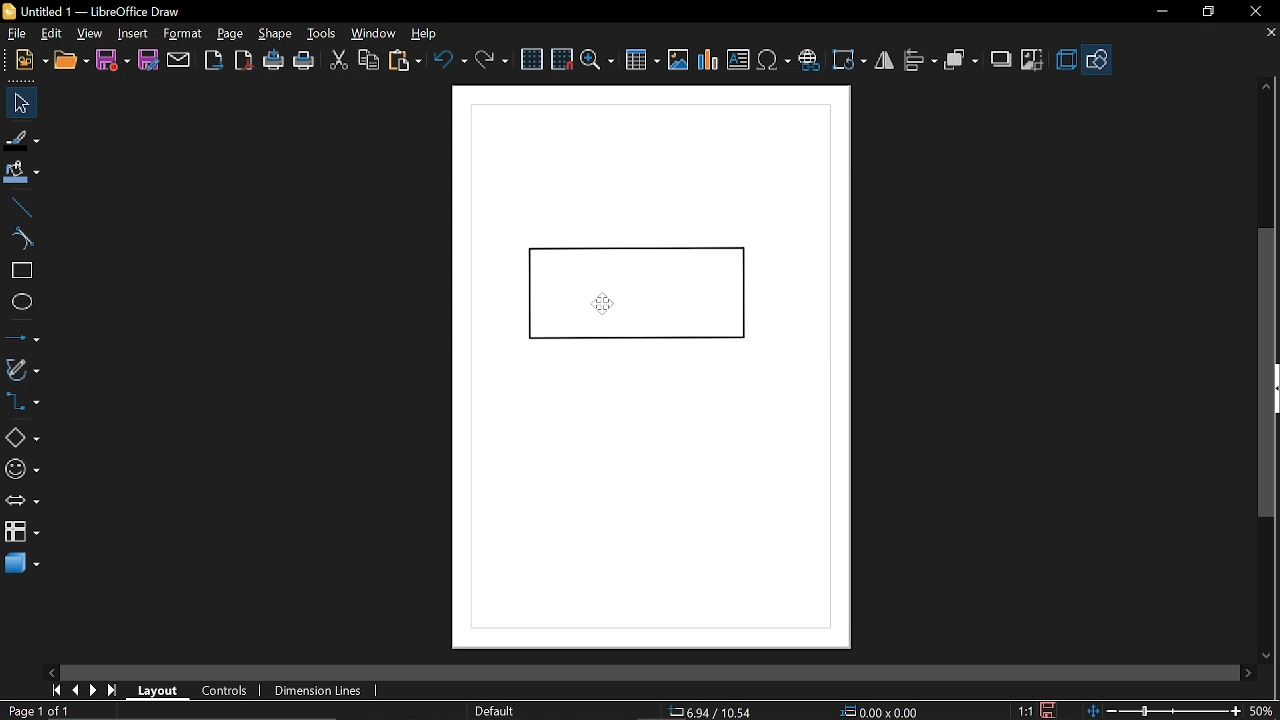 The height and width of the screenshot is (720, 1280). I want to click on Insert table, so click(642, 60).